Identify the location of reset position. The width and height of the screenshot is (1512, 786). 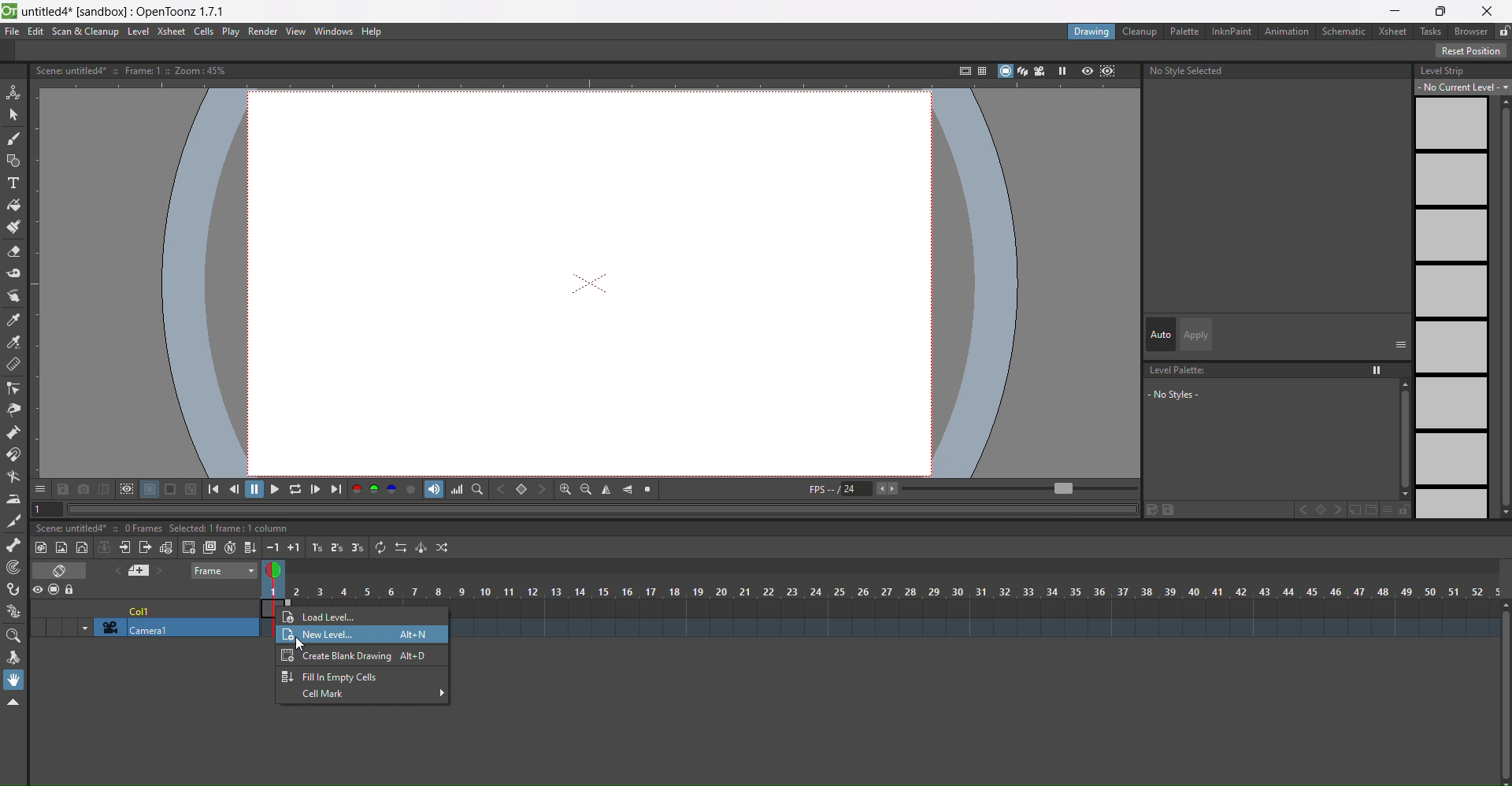
(1472, 50).